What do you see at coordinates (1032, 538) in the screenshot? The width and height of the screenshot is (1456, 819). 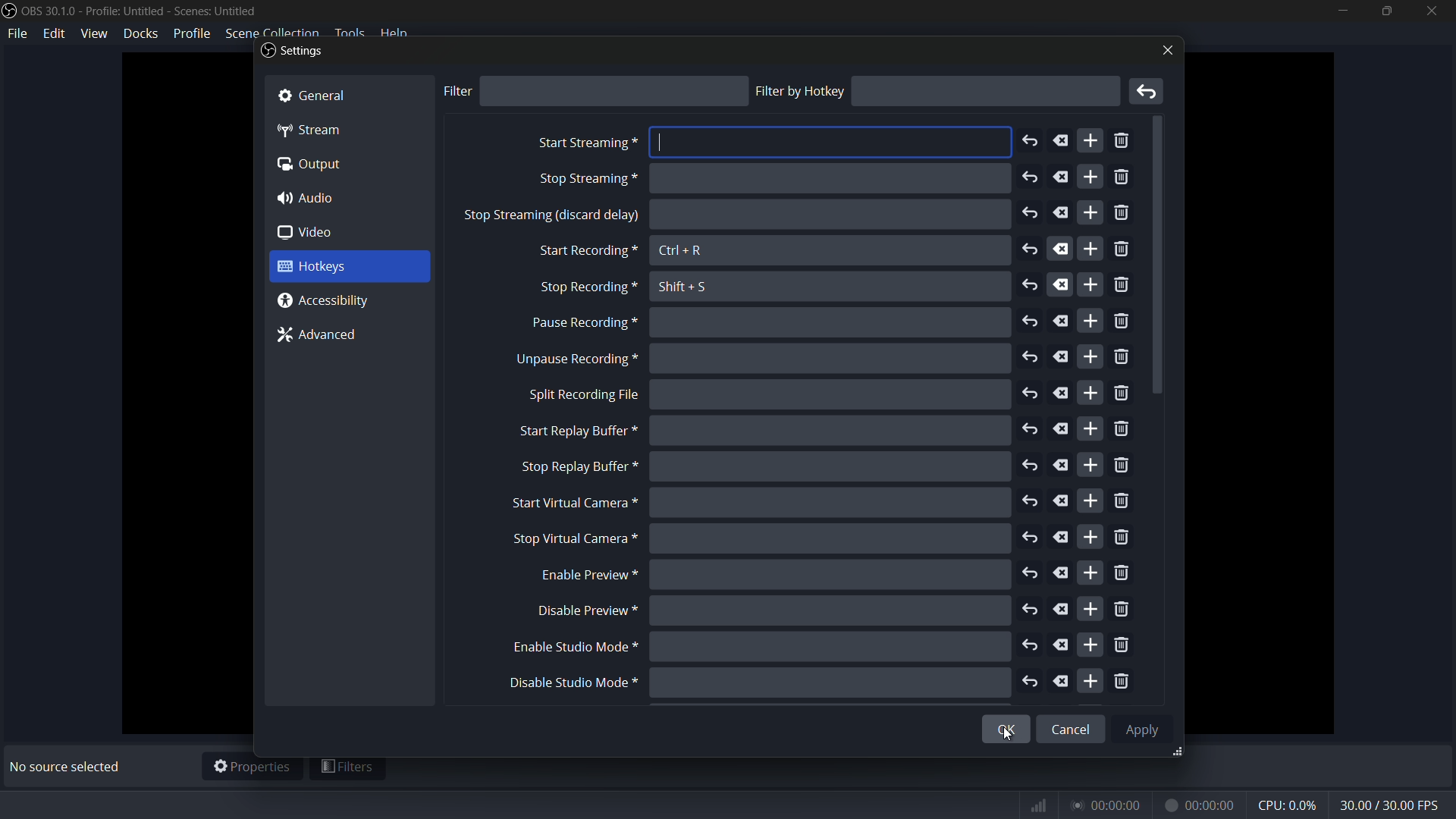 I see `undo` at bounding box center [1032, 538].